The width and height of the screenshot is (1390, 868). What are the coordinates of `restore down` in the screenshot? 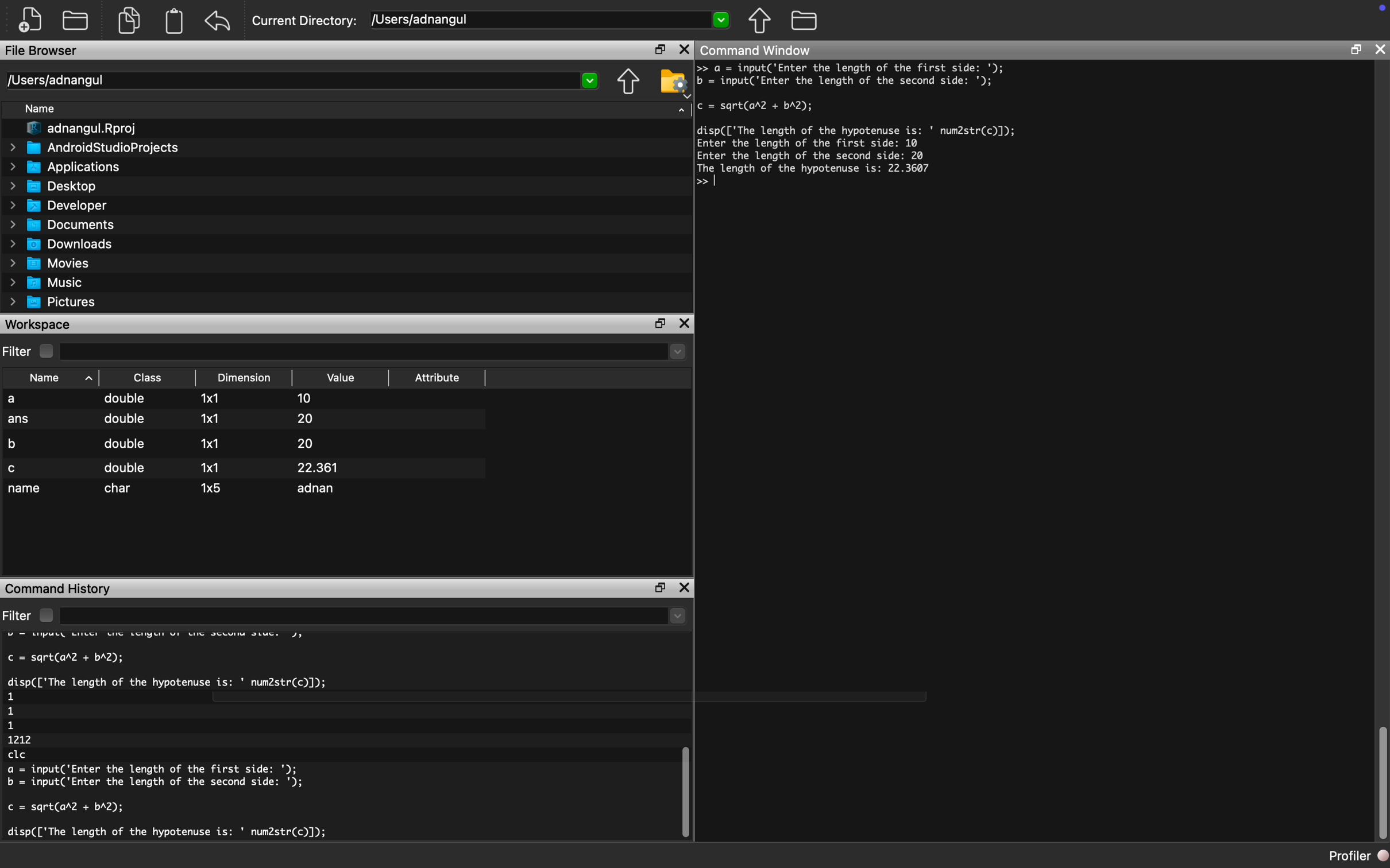 It's located at (662, 324).